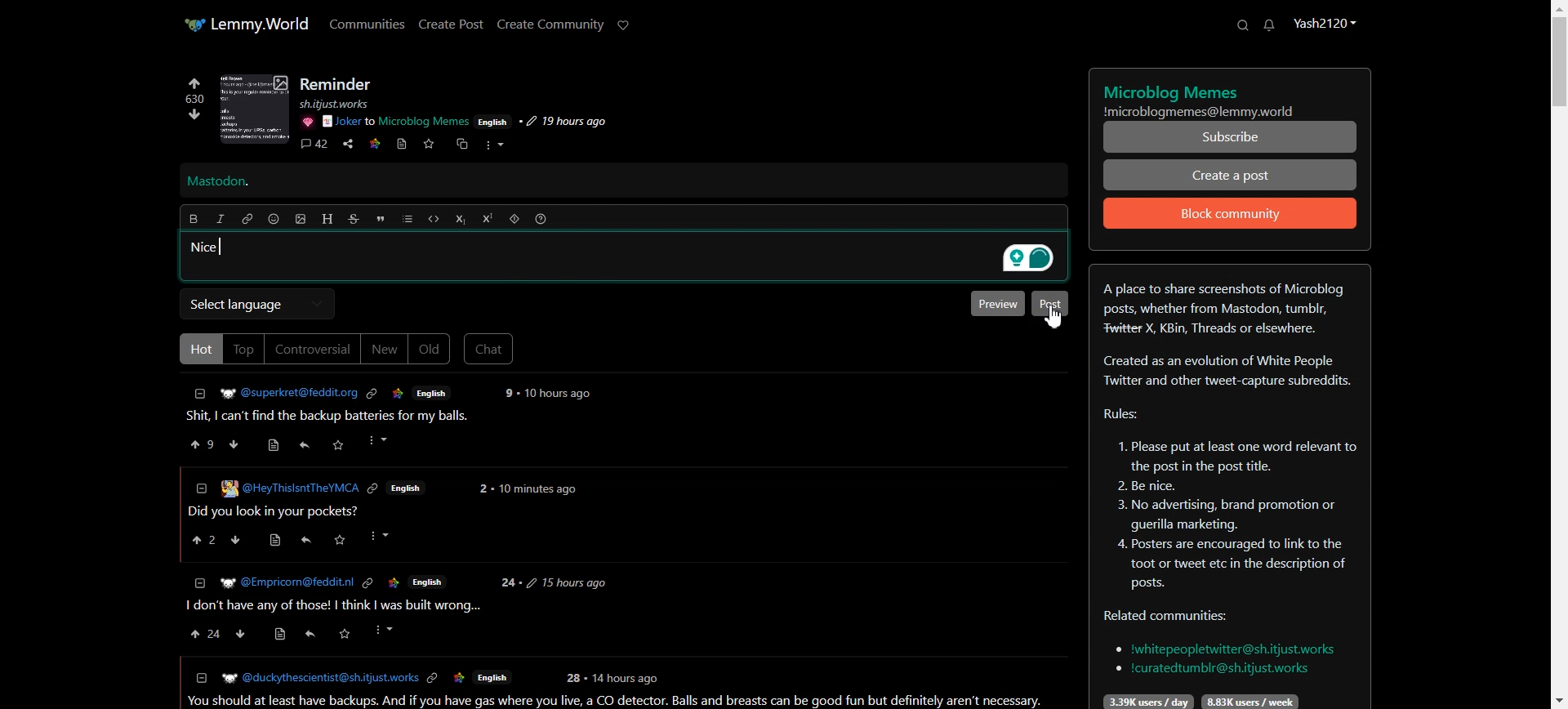 This screenshot has width=1568, height=709. I want to click on superkret@feddit.org, so click(283, 390).